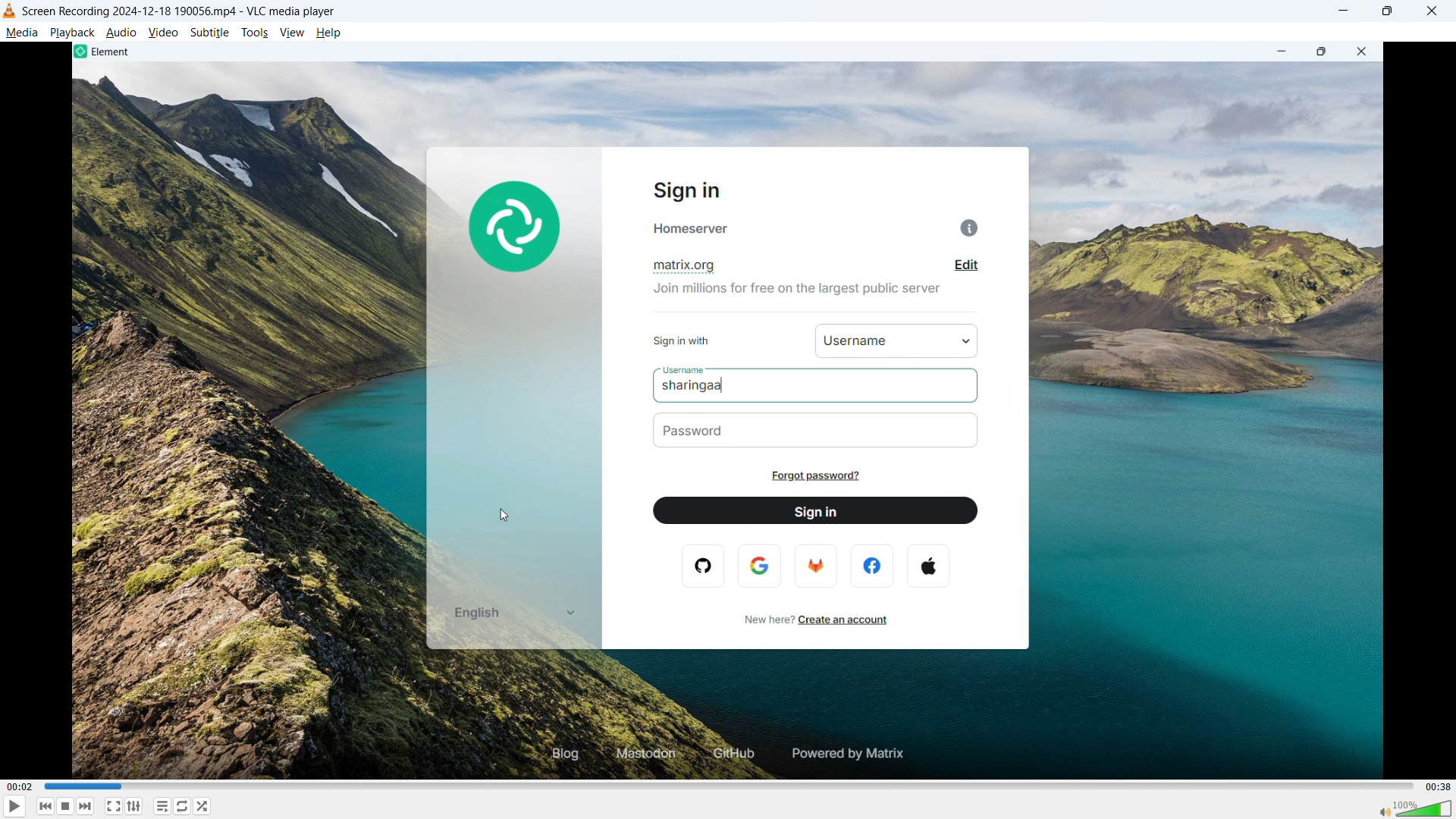 The image size is (1456, 819). Describe the element at coordinates (113, 805) in the screenshot. I see `Full screen ` at that location.